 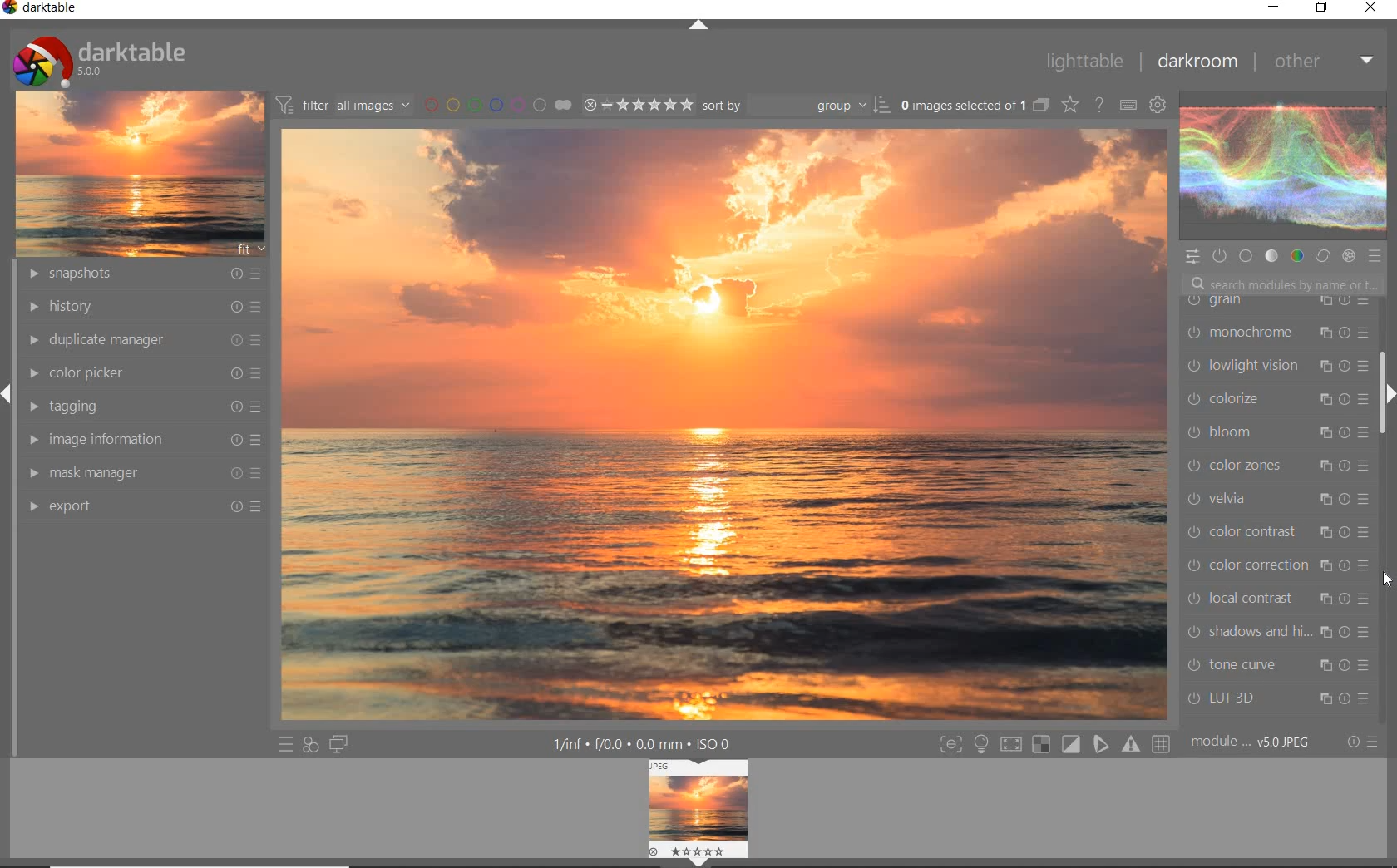 What do you see at coordinates (1194, 255) in the screenshot?
I see `QUICK ACCESS PANEL` at bounding box center [1194, 255].